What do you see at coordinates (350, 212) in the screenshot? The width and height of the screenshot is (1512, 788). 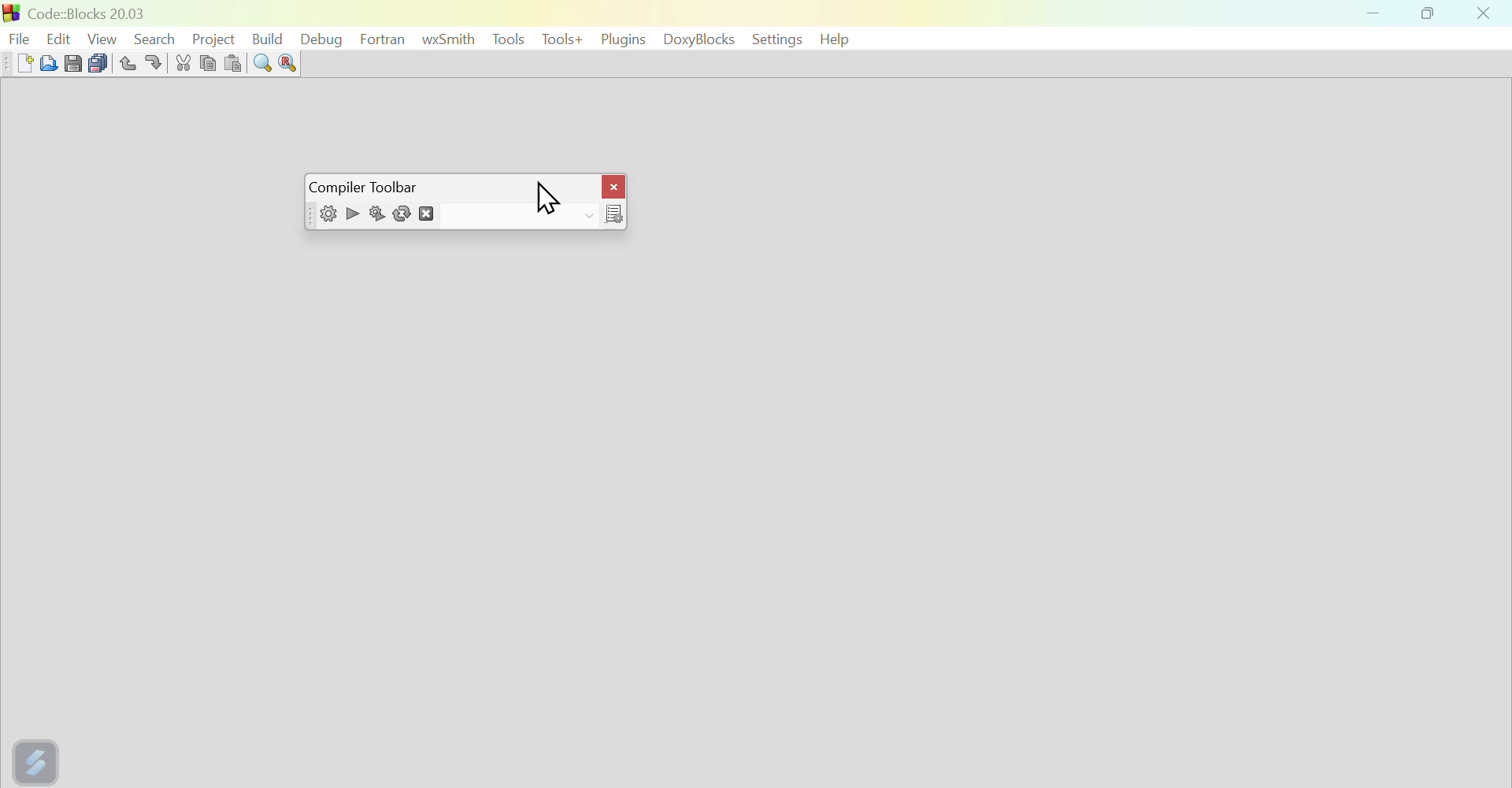 I see `Play` at bounding box center [350, 212].